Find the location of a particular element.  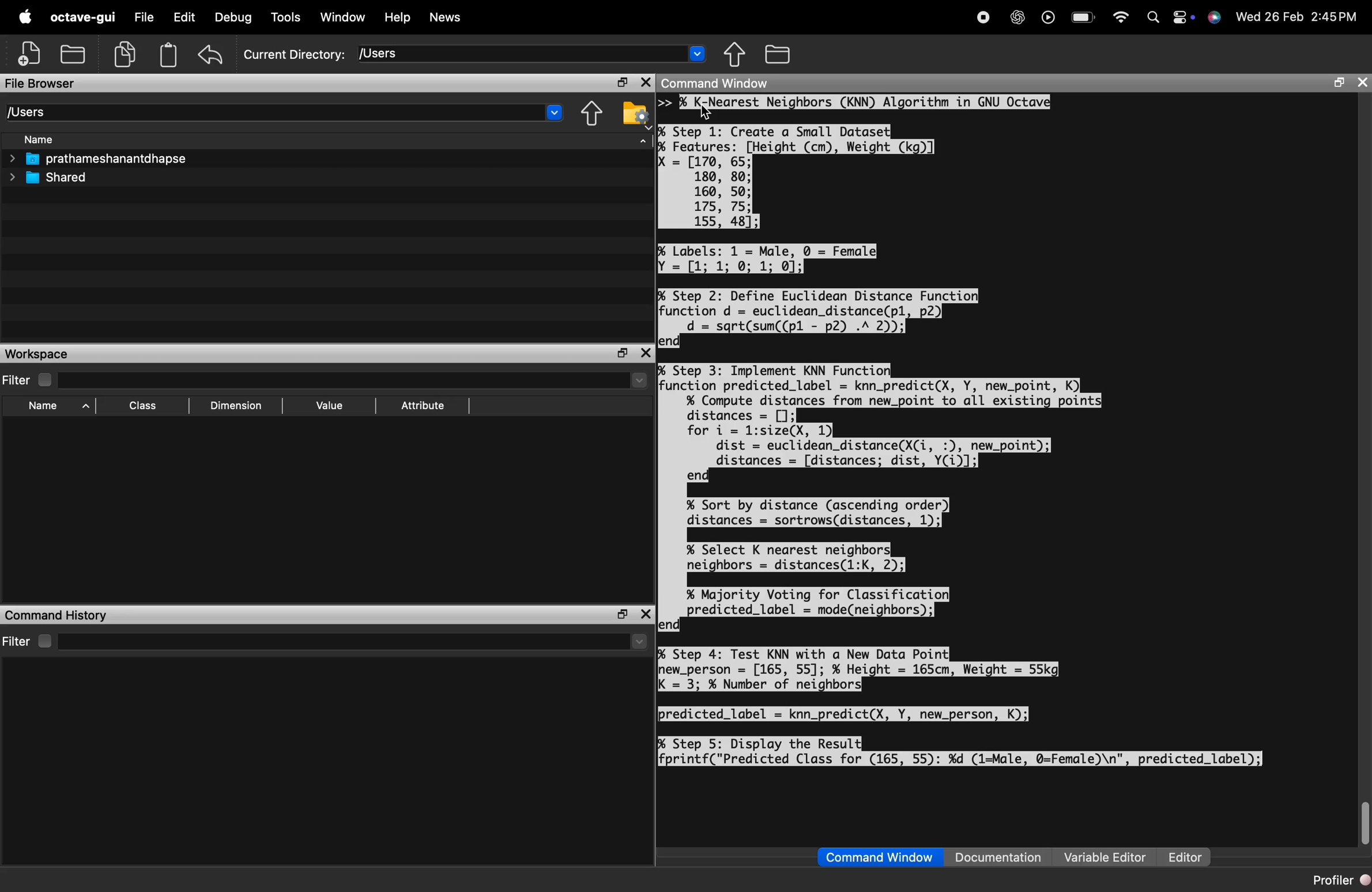

add is located at coordinates (24, 55).